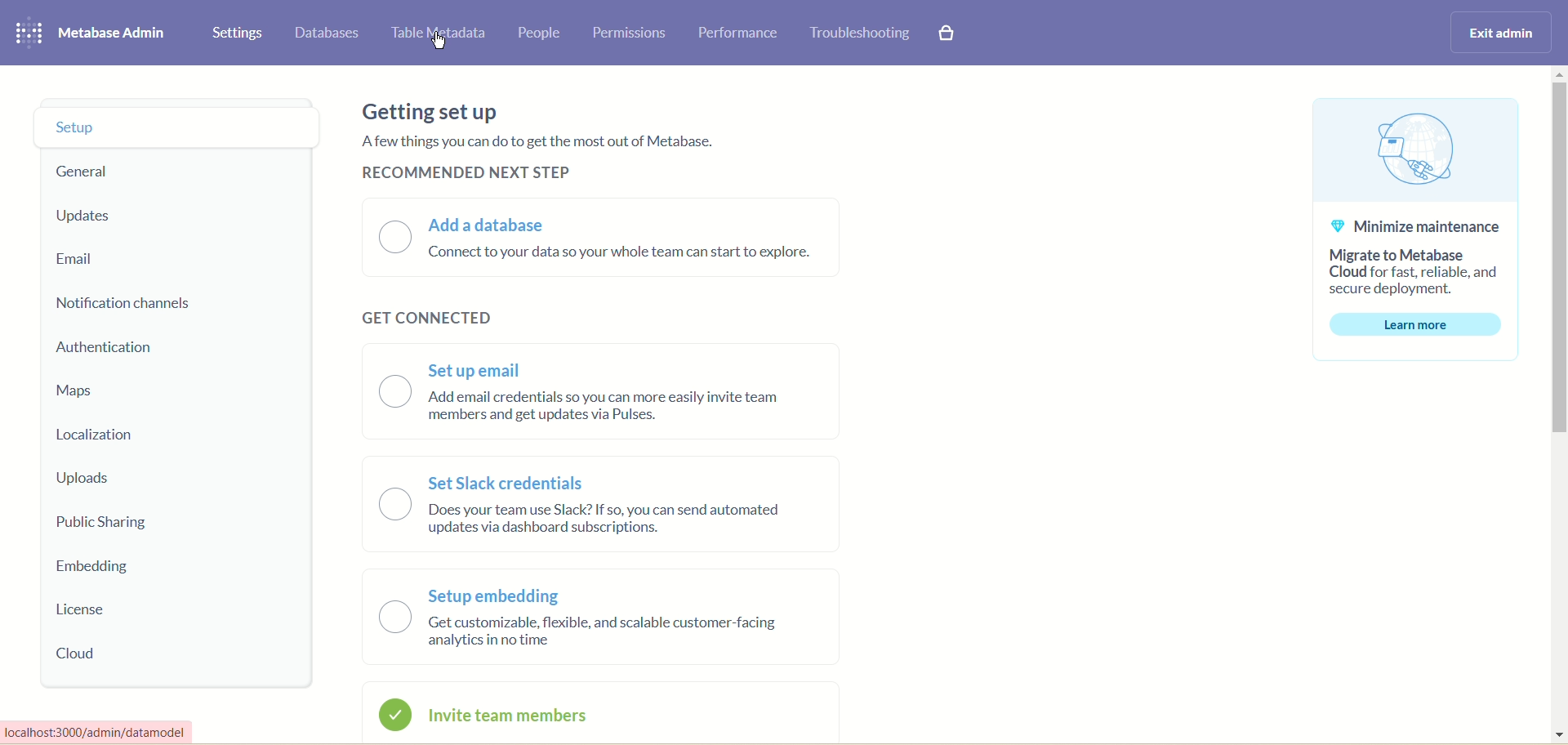  What do you see at coordinates (114, 33) in the screenshot?
I see `metabase admin` at bounding box center [114, 33].